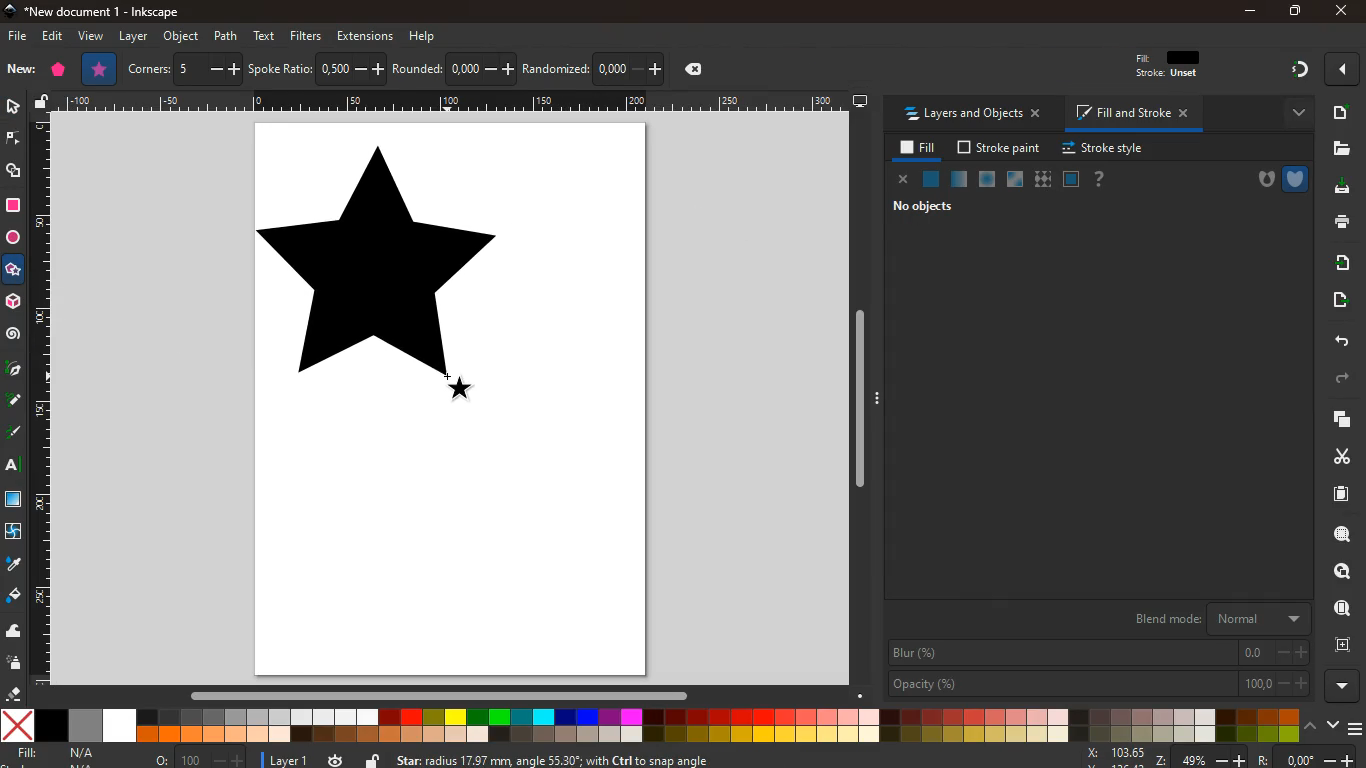  I want to click on randomized, so click(593, 67).